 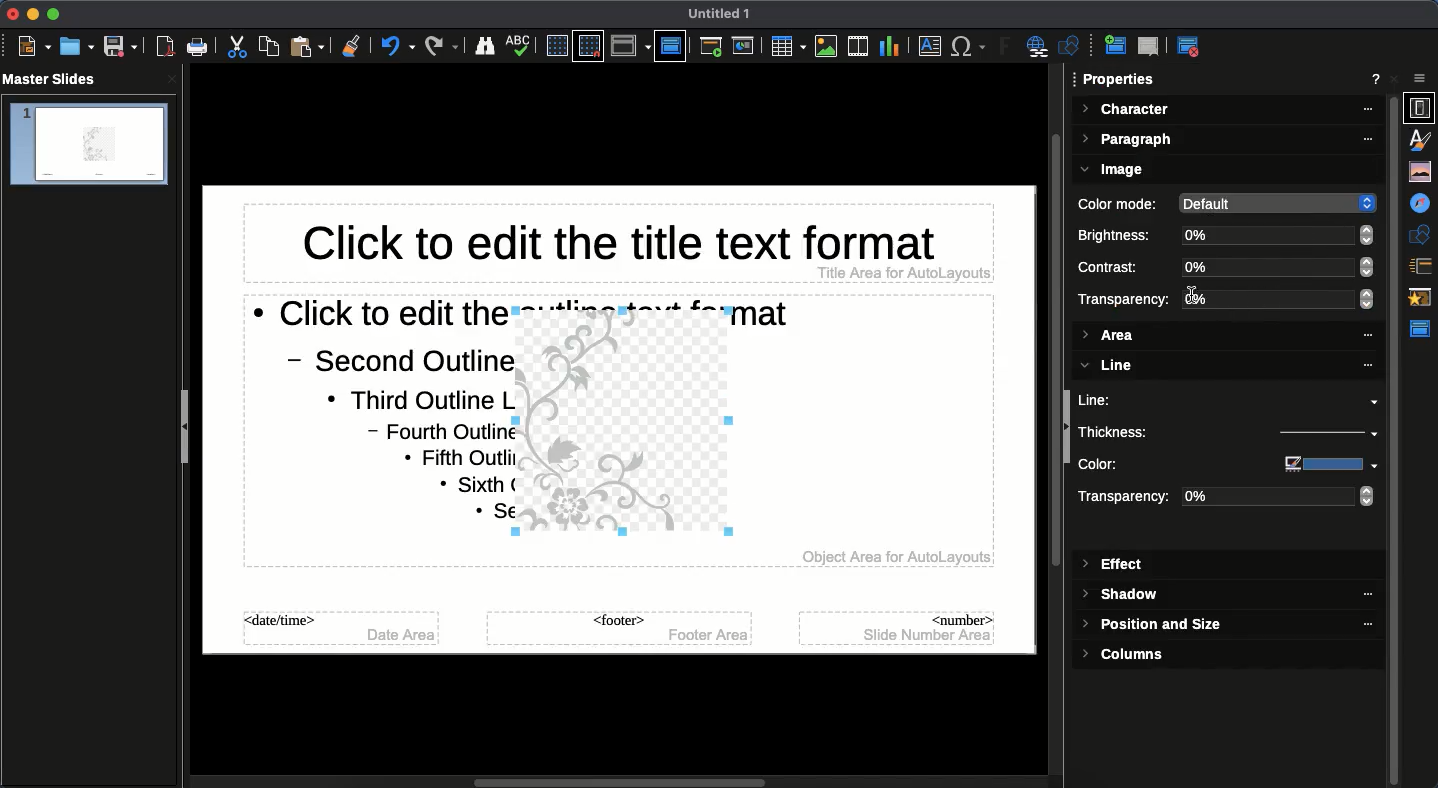 What do you see at coordinates (75, 46) in the screenshot?
I see `Open` at bounding box center [75, 46].